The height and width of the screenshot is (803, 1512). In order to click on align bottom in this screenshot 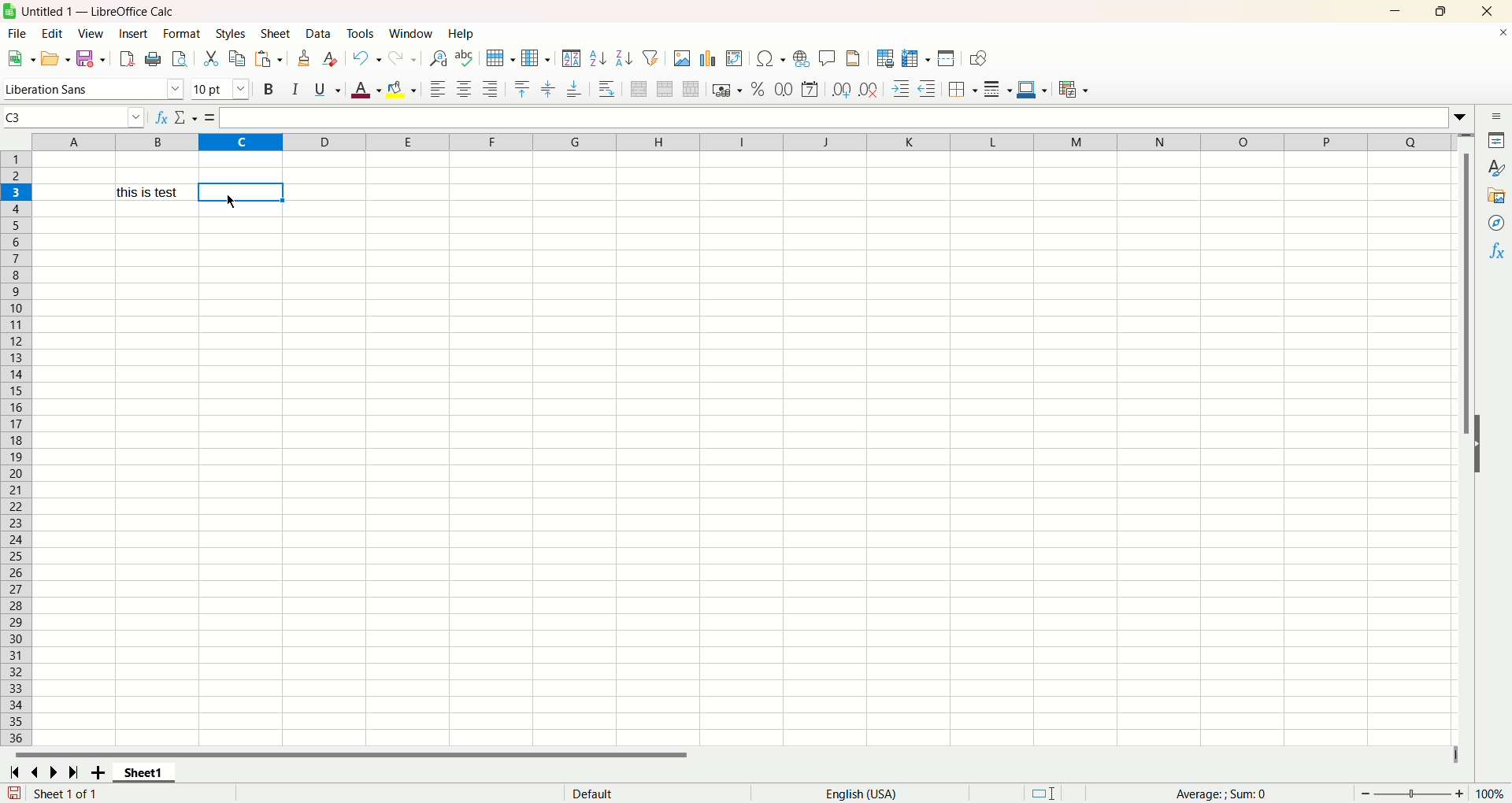, I will do `click(575, 89)`.